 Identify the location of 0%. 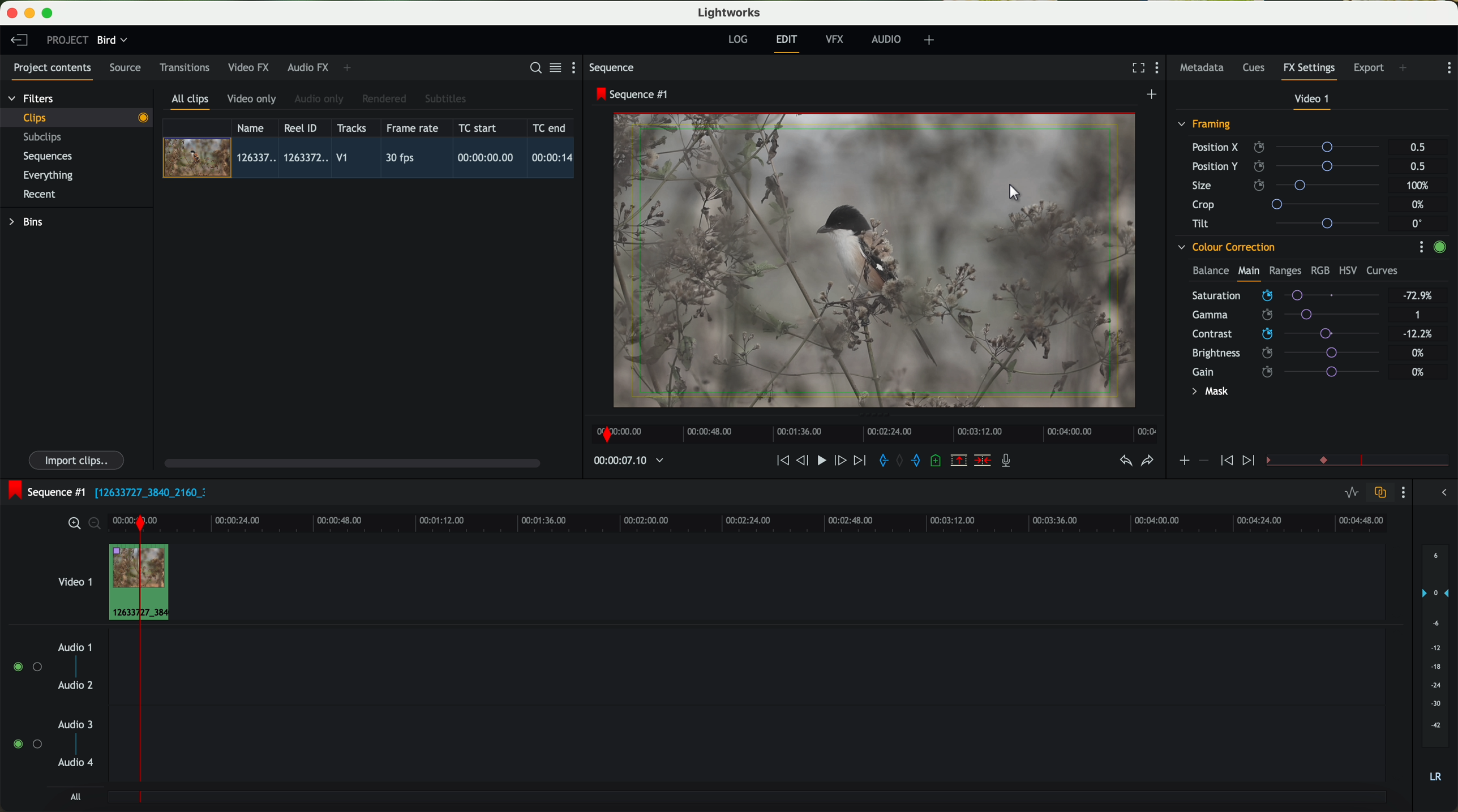
(1420, 205).